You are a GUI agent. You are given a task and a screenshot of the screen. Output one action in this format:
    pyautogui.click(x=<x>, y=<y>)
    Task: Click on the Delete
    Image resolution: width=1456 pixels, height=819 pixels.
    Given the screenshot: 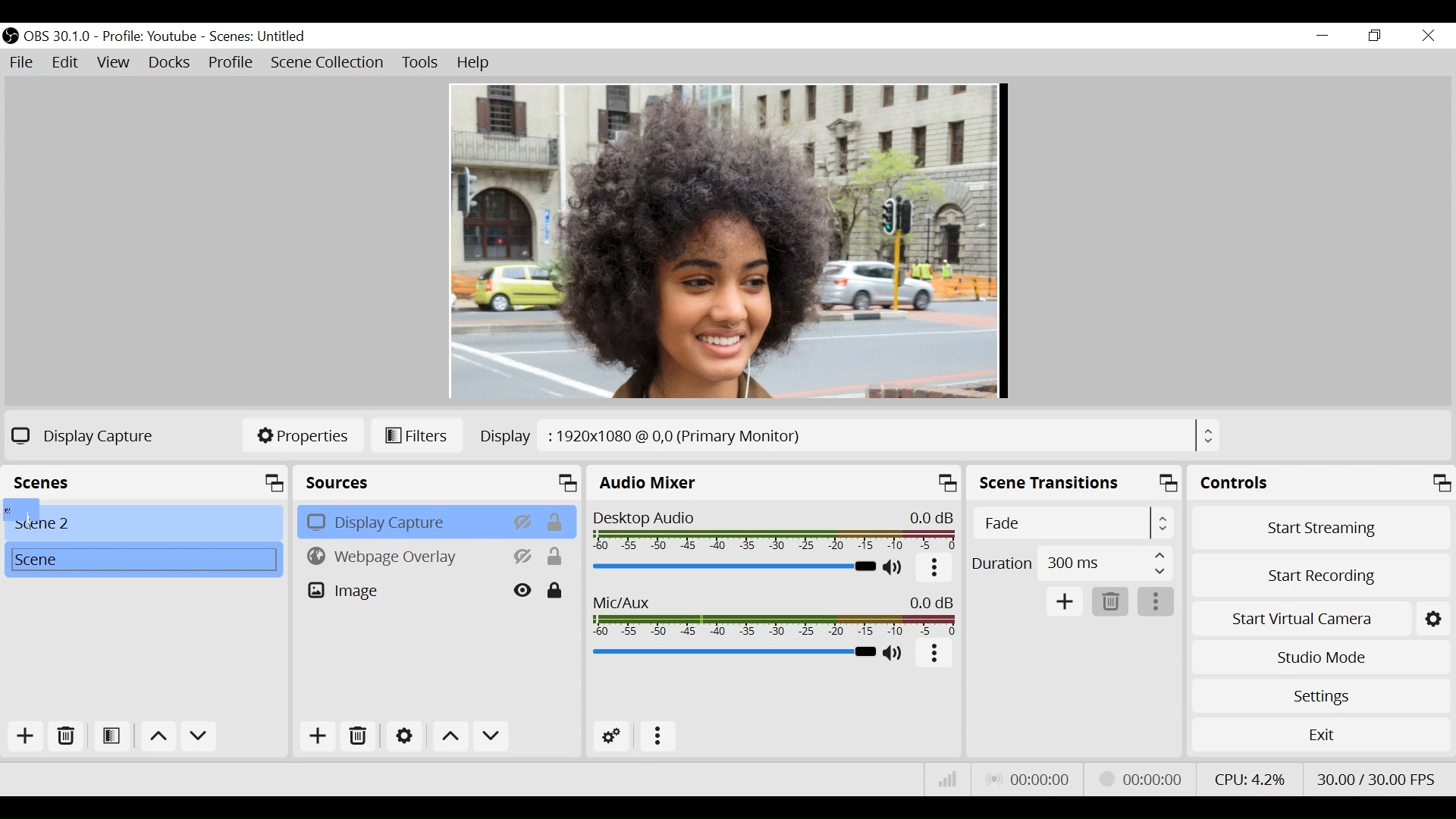 What is the action you would take?
    pyautogui.click(x=1109, y=601)
    